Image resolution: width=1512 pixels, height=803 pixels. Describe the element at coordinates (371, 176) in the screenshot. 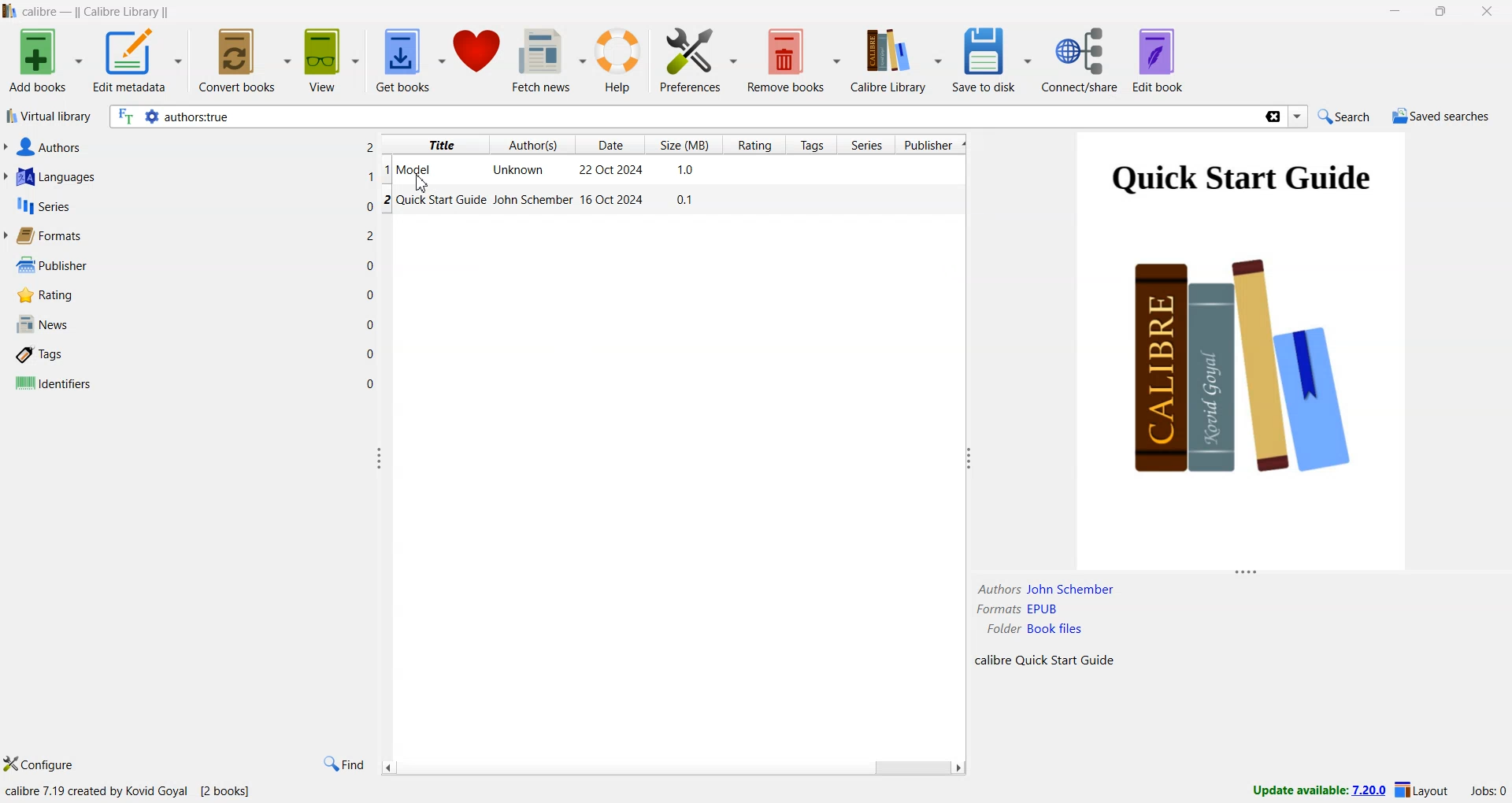

I see `1` at that location.